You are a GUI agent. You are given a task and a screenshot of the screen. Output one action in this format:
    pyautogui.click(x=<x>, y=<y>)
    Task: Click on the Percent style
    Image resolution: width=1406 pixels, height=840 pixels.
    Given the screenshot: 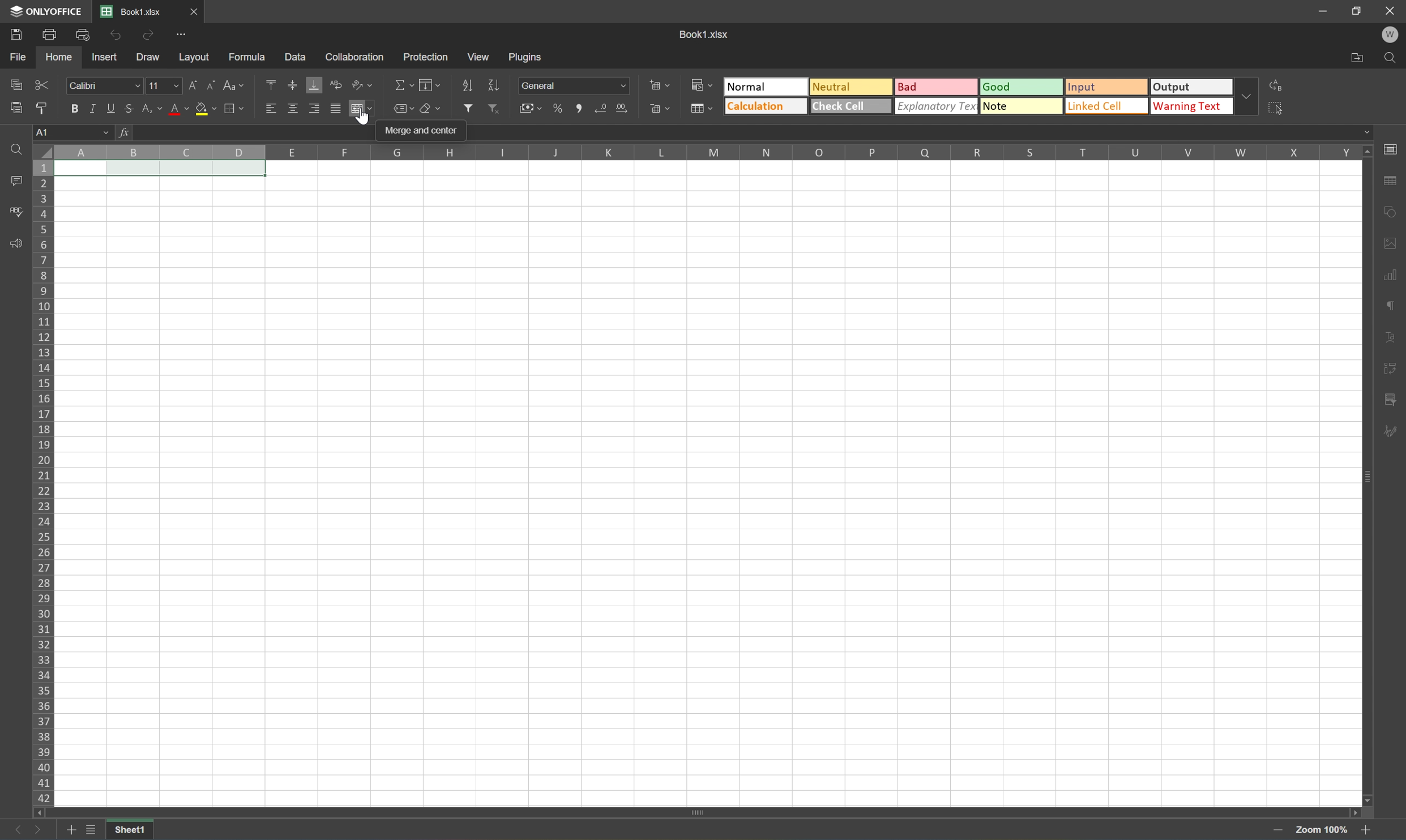 What is the action you would take?
    pyautogui.click(x=559, y=109)
    